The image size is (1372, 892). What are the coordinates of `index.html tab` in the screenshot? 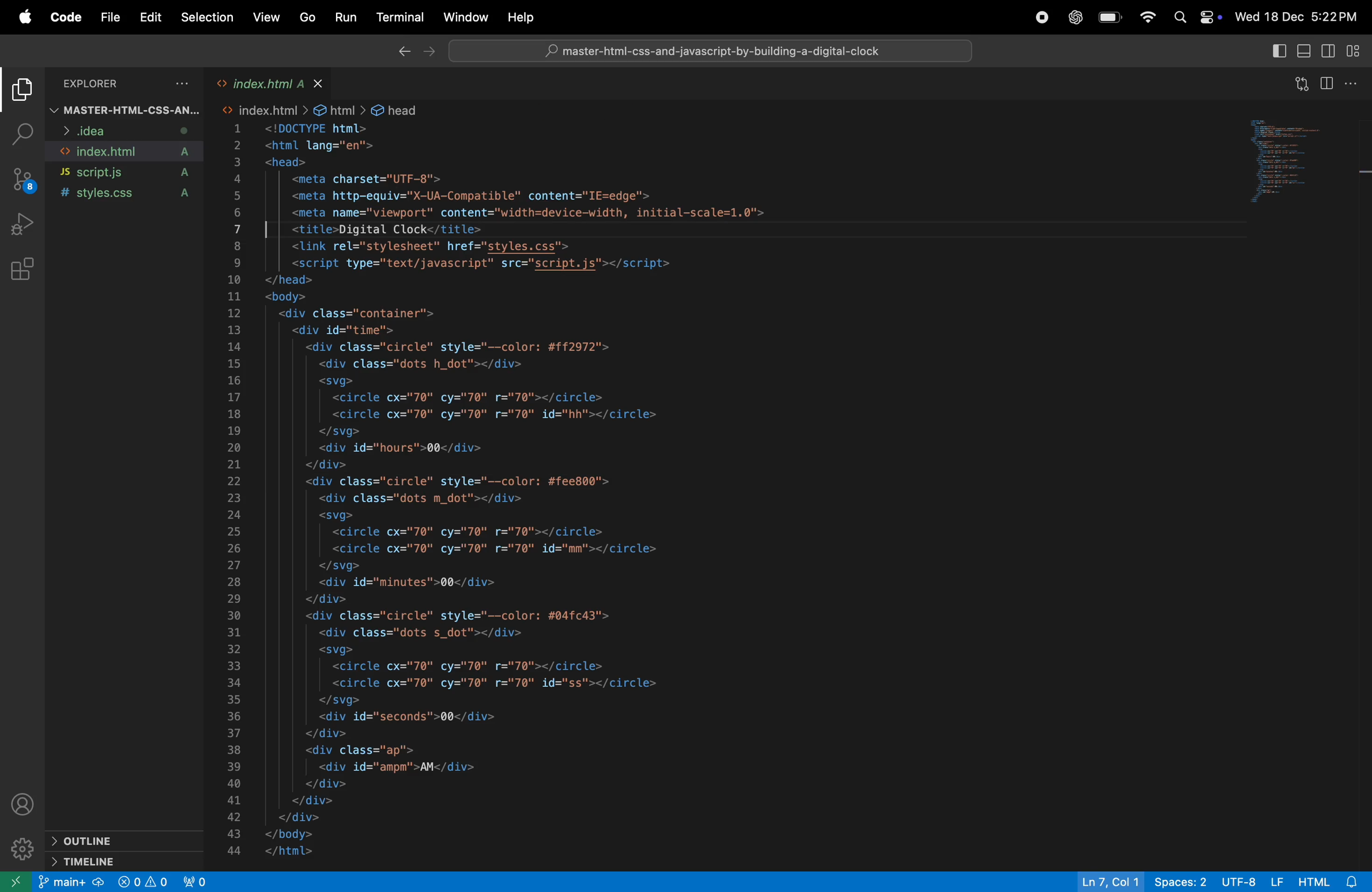 It's located at (262, 82).